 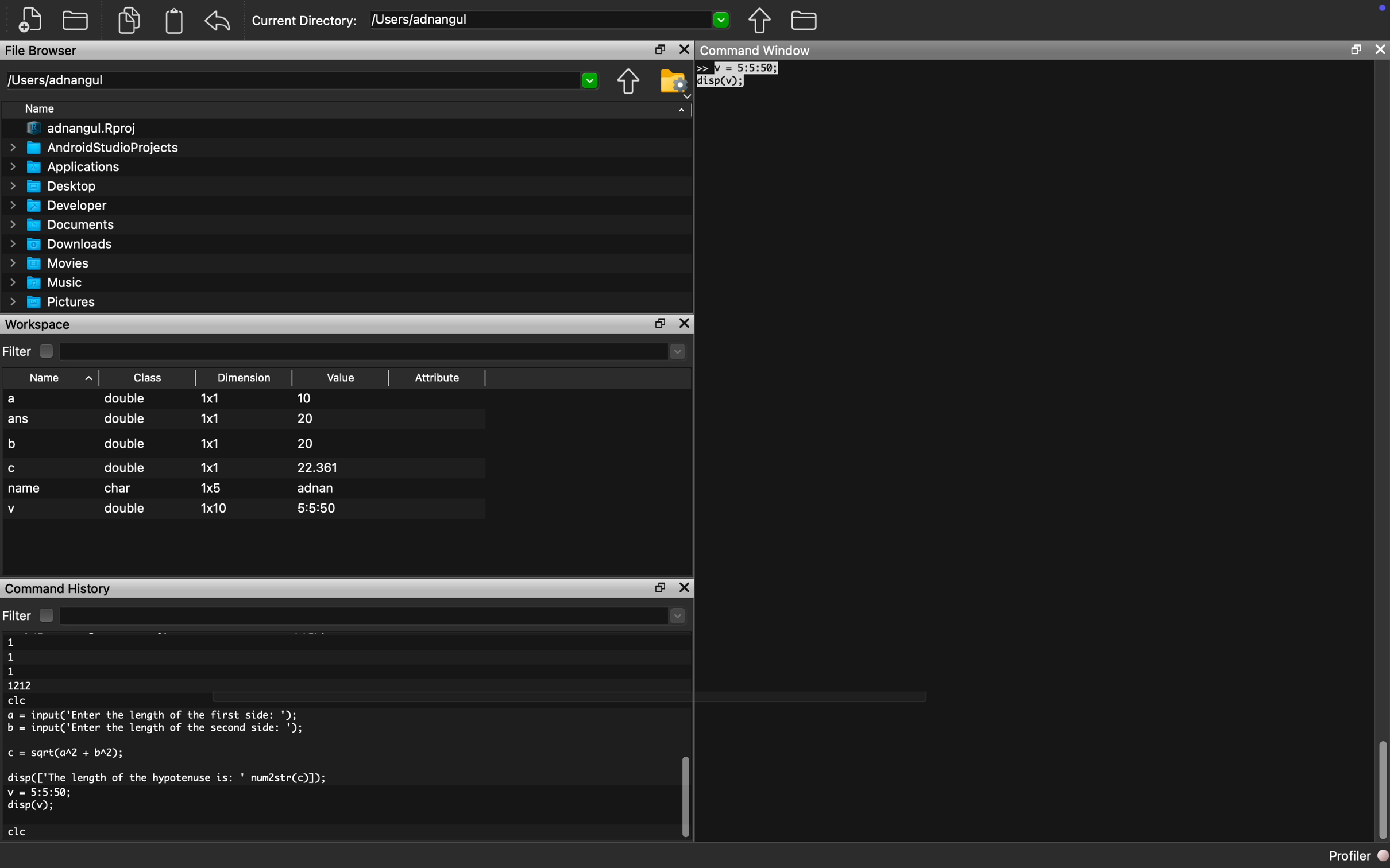 What do you see at coordinates (681, 109) in the screenshot?
I see `Dropdown` at bounding box center [681, 109].